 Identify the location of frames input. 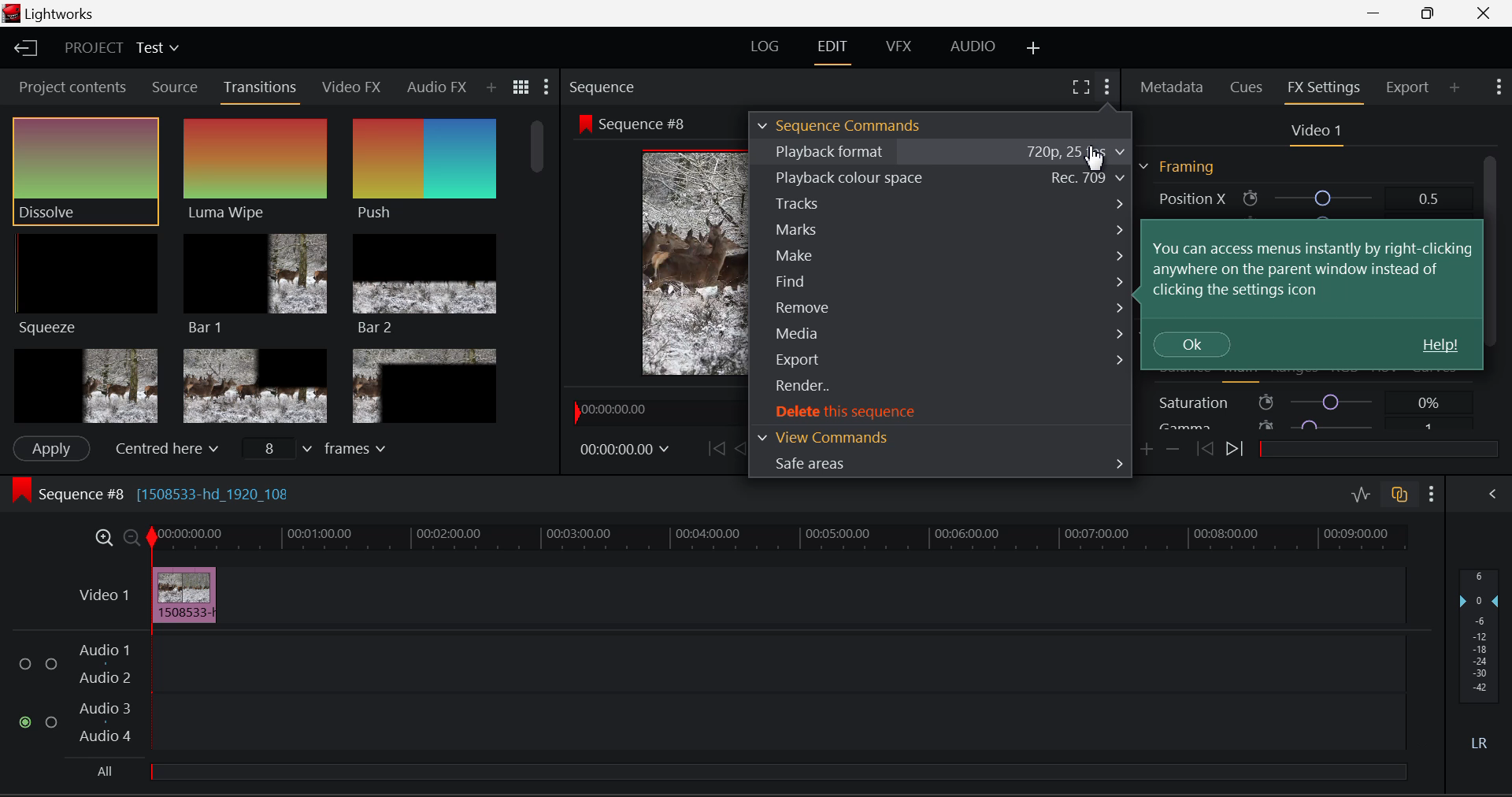
(323, 450).